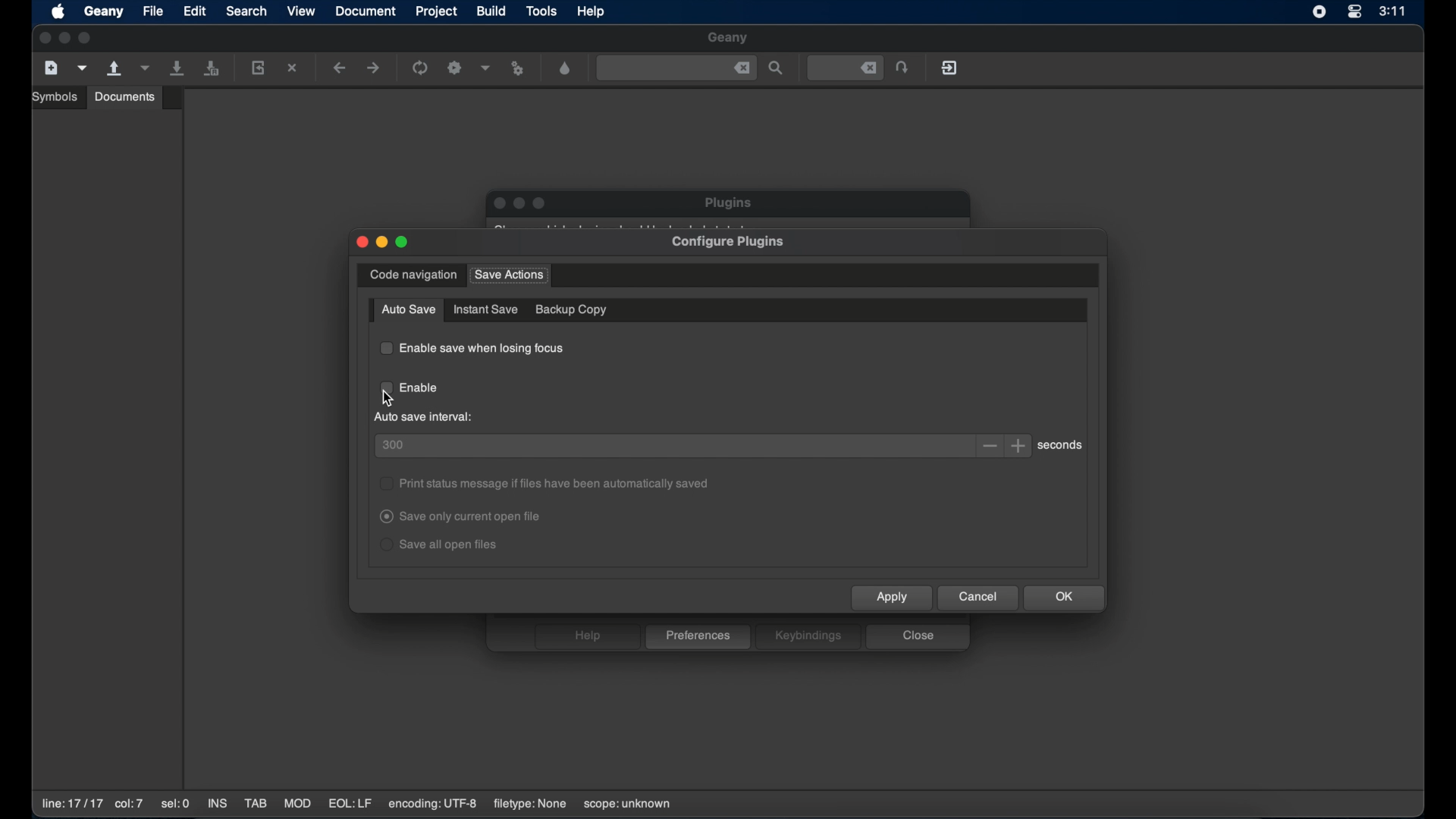  What do you see at coordinates (178, 68) in the screenshot?
I see `save all current file` at bounding box center [178, 68].